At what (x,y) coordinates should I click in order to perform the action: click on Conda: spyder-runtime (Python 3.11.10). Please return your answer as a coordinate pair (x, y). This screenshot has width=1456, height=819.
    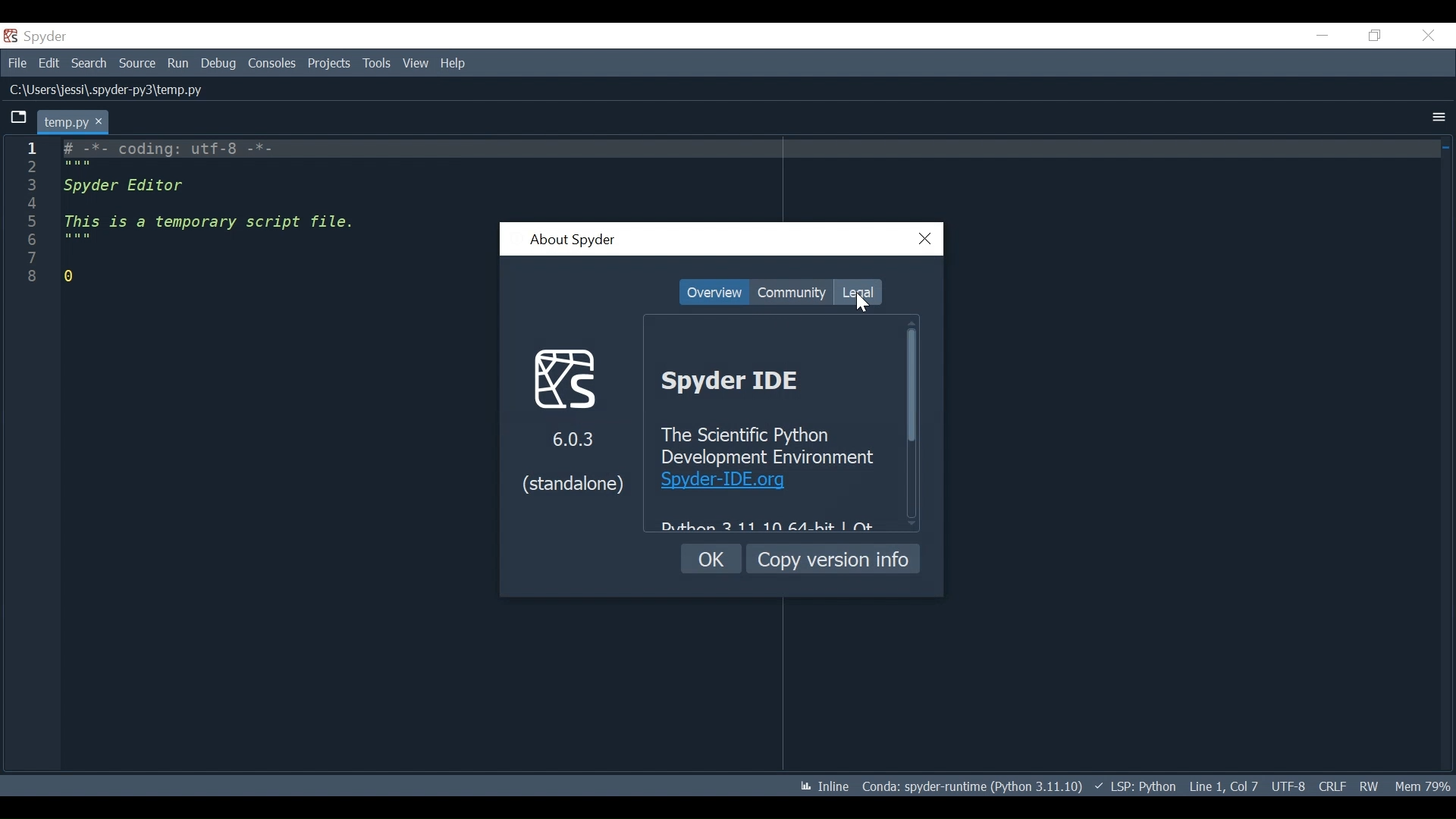
    Looking at the image, I should click on (973, 789).